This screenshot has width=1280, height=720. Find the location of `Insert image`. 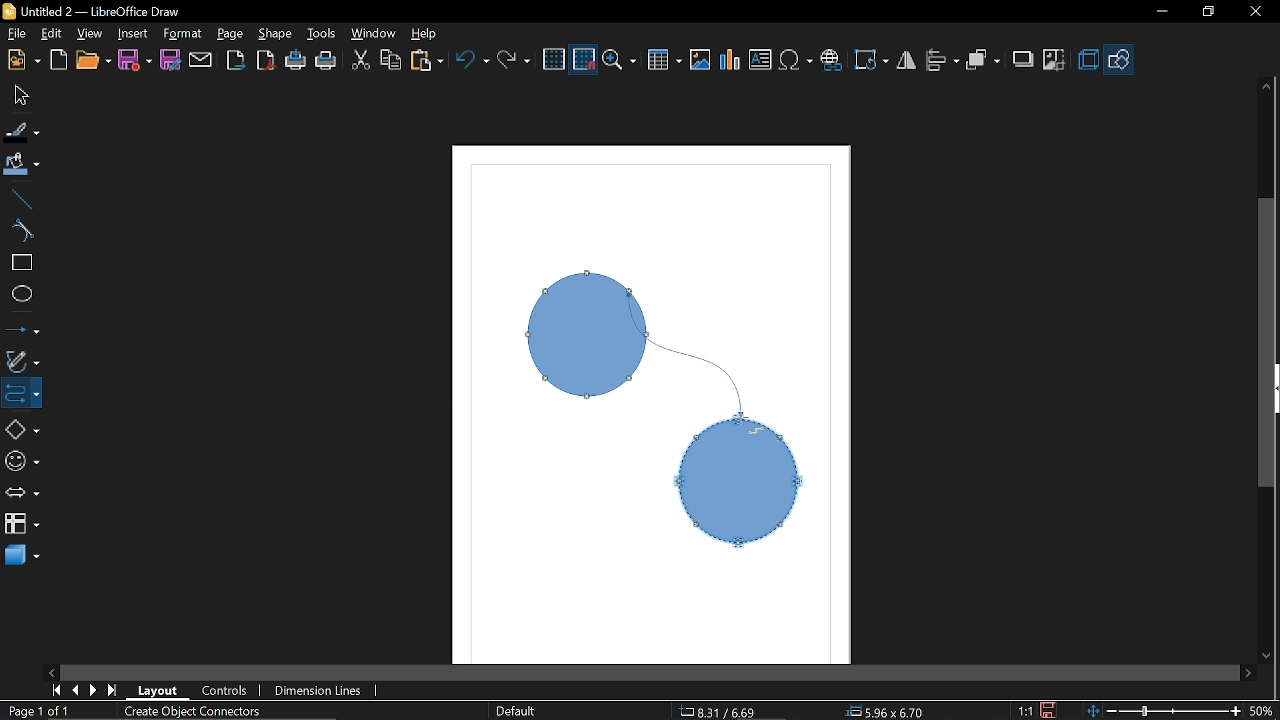

Insert image is located at coordinates (700, 60).